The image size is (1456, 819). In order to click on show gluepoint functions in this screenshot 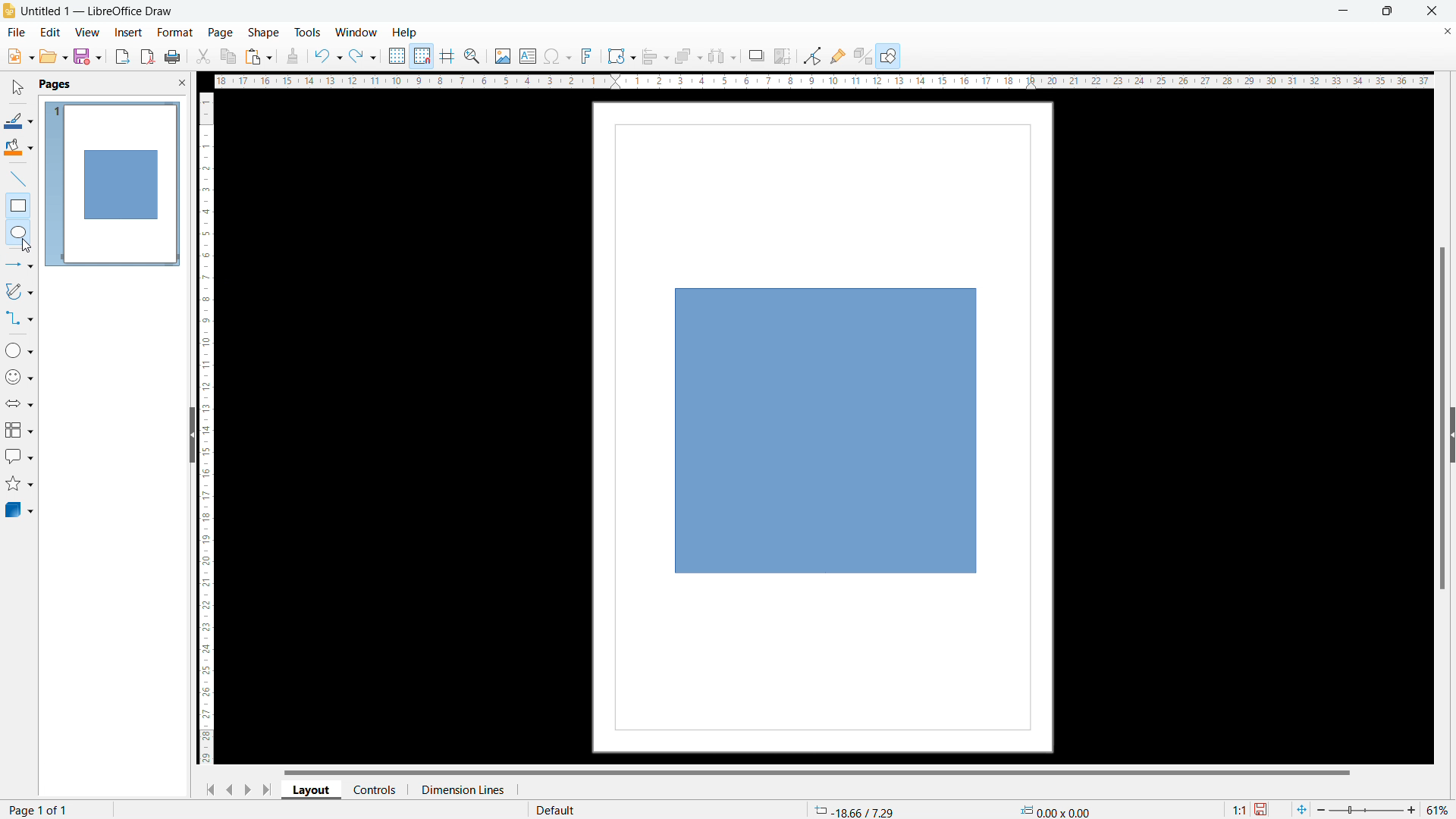, I will do `click(838, 55)`.